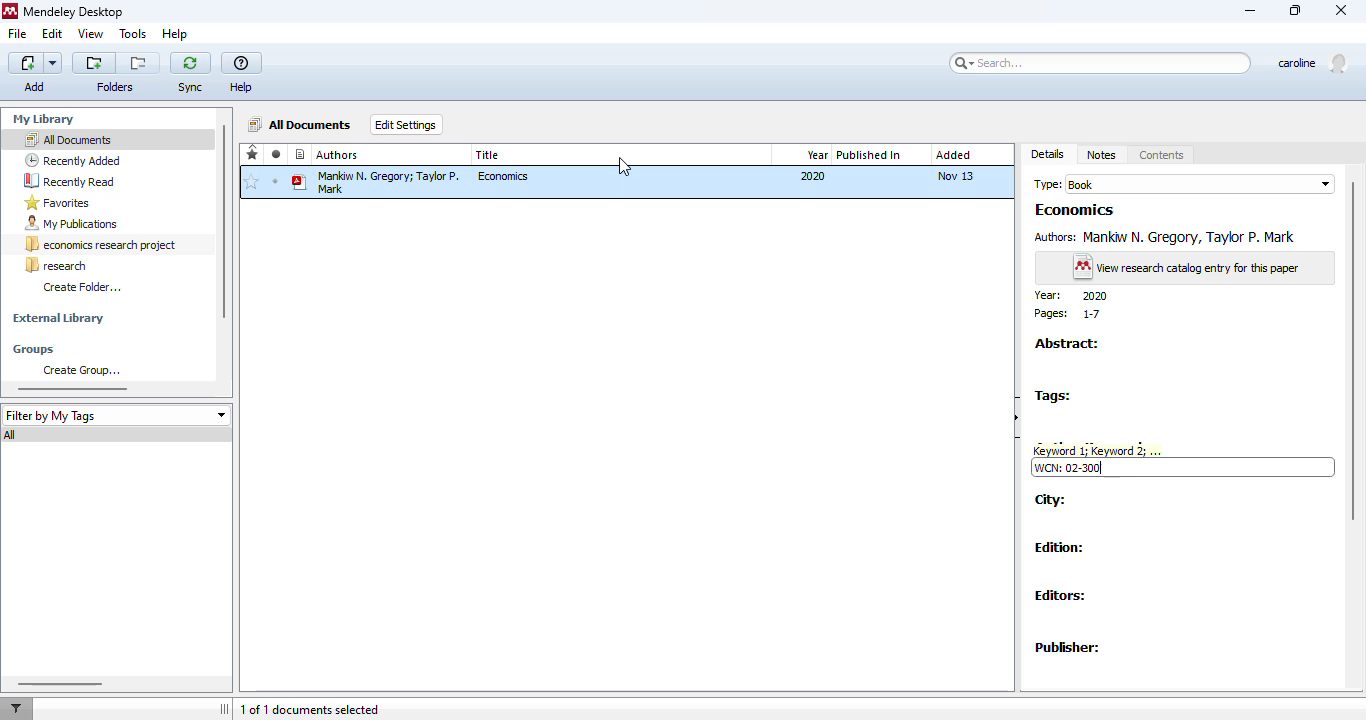 Image resolution: width=1366 pixels, height=720 pixels. Describe the element at coordinates (1018, 416) in the screenshot. I see `hide document details` at that location.